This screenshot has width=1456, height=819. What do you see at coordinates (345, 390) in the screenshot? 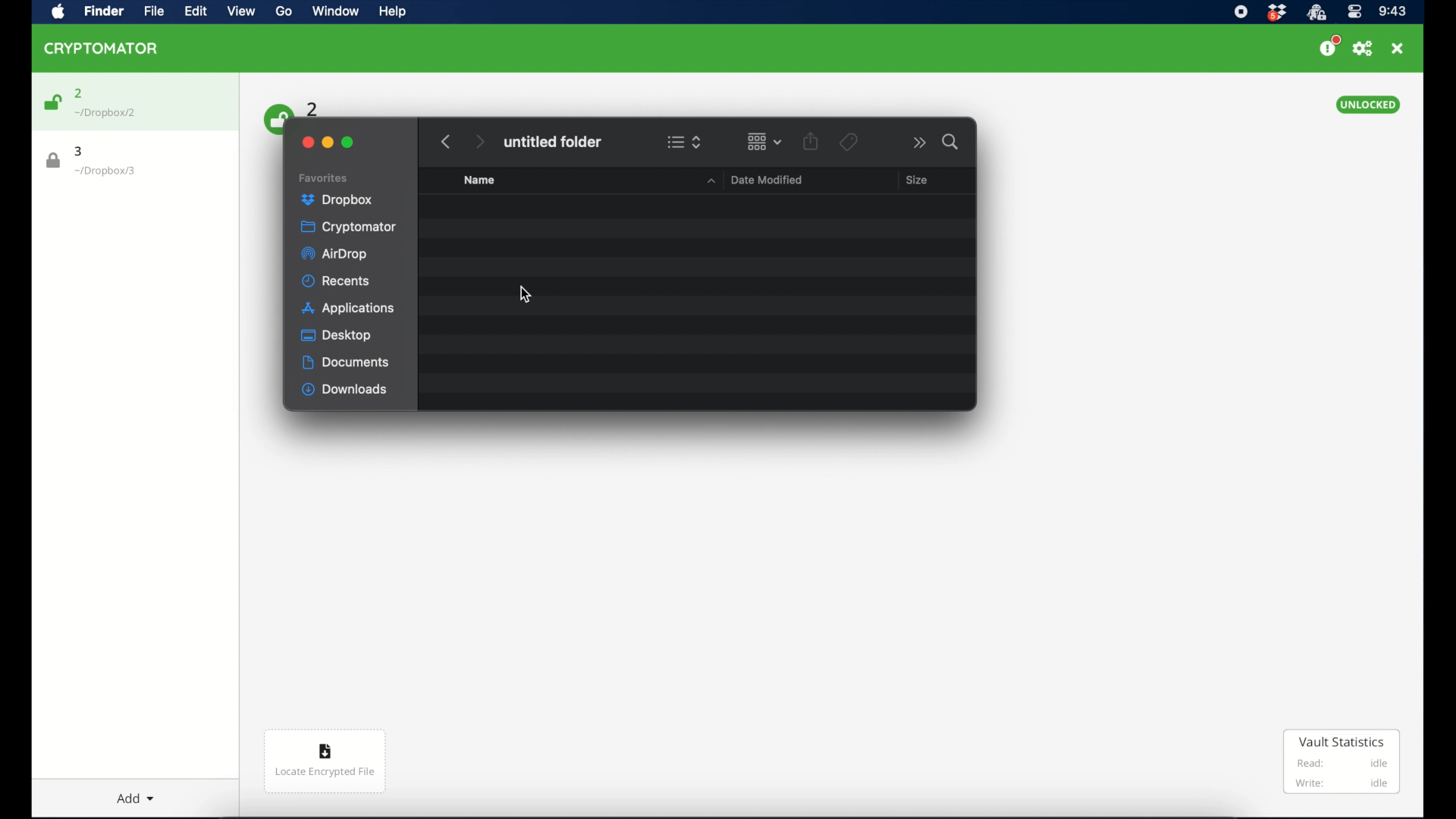
I see `downloads` at bounding box center [345, 390].